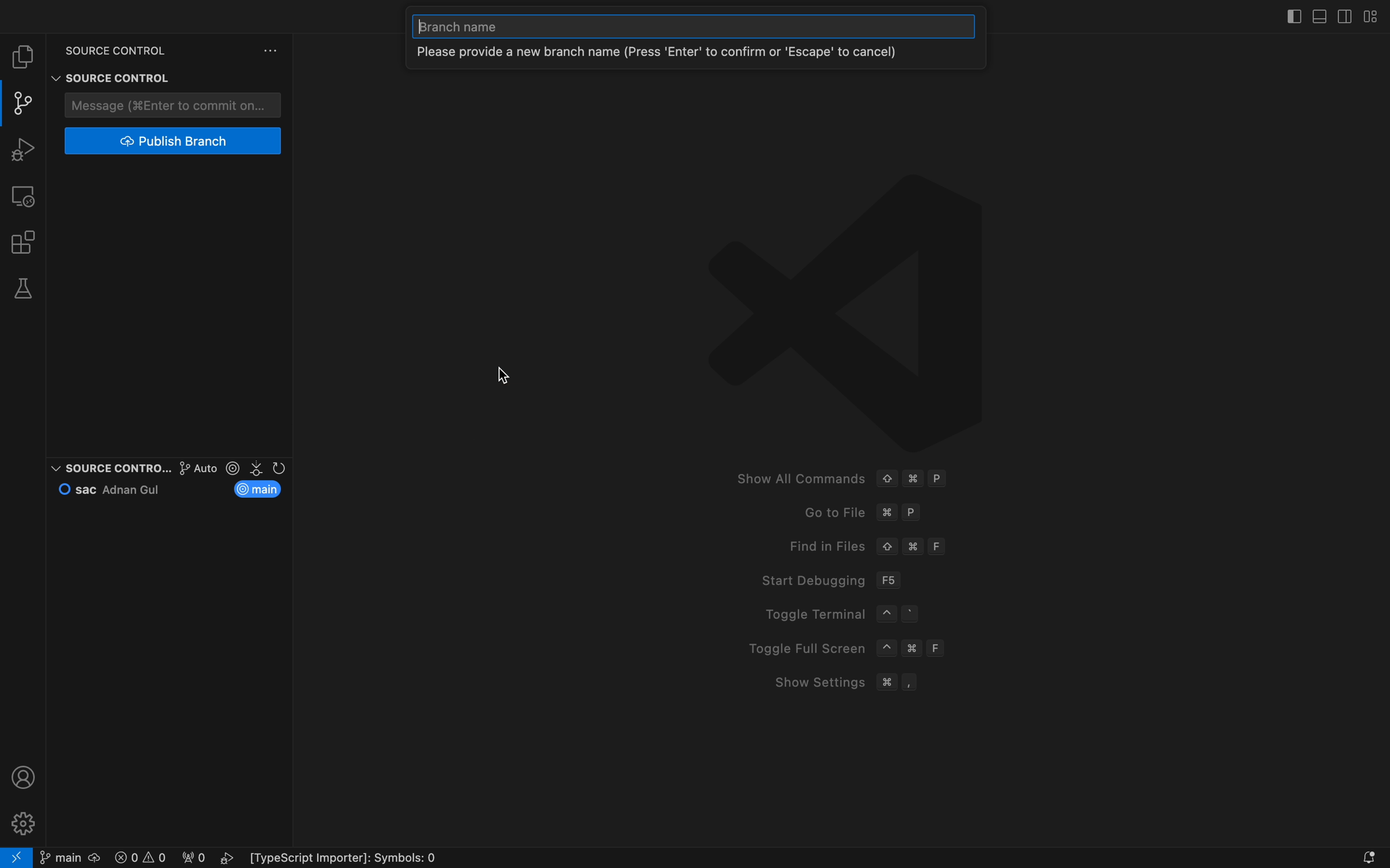 This screenshot has width=1390, height=868. Describe the element at coordinates (1368, 856) in the screenshot. I see `Notifications ` at that location.